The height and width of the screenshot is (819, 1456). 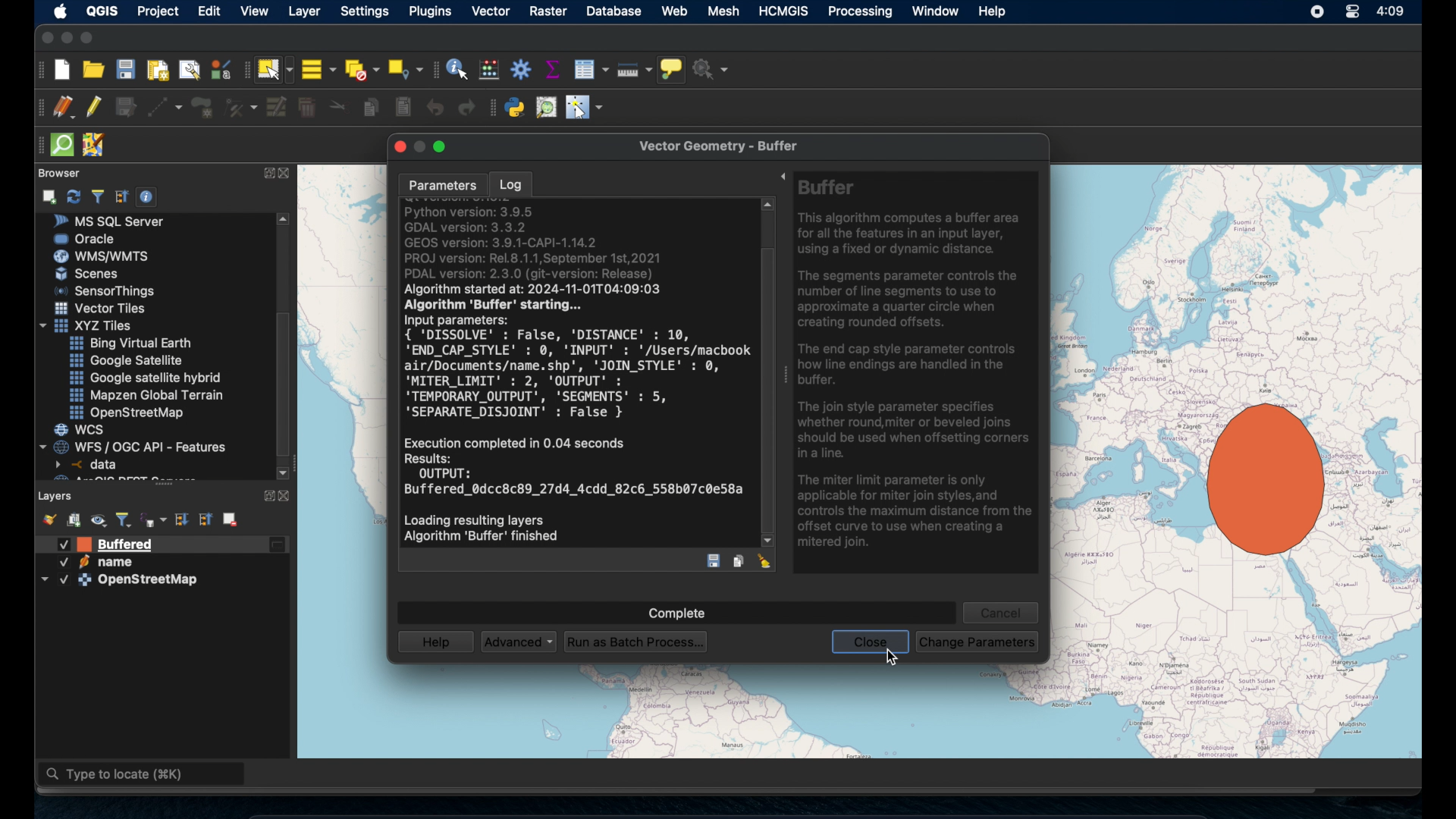 I want to click on google satellite hybrid, so click(x=145, y=379).